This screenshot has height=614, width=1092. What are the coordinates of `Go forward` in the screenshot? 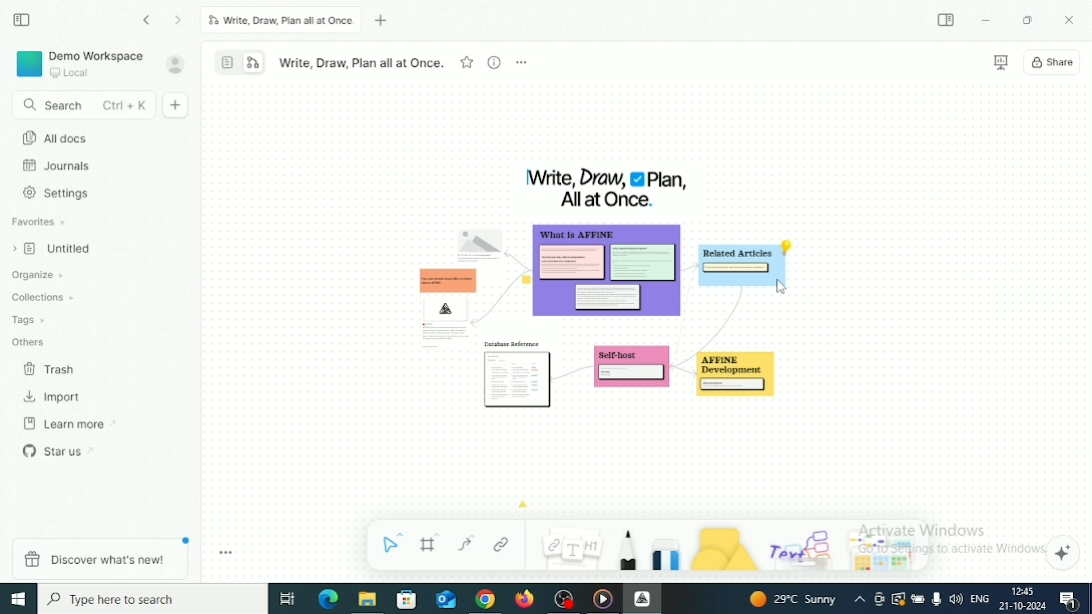 It's located at (179, 21).